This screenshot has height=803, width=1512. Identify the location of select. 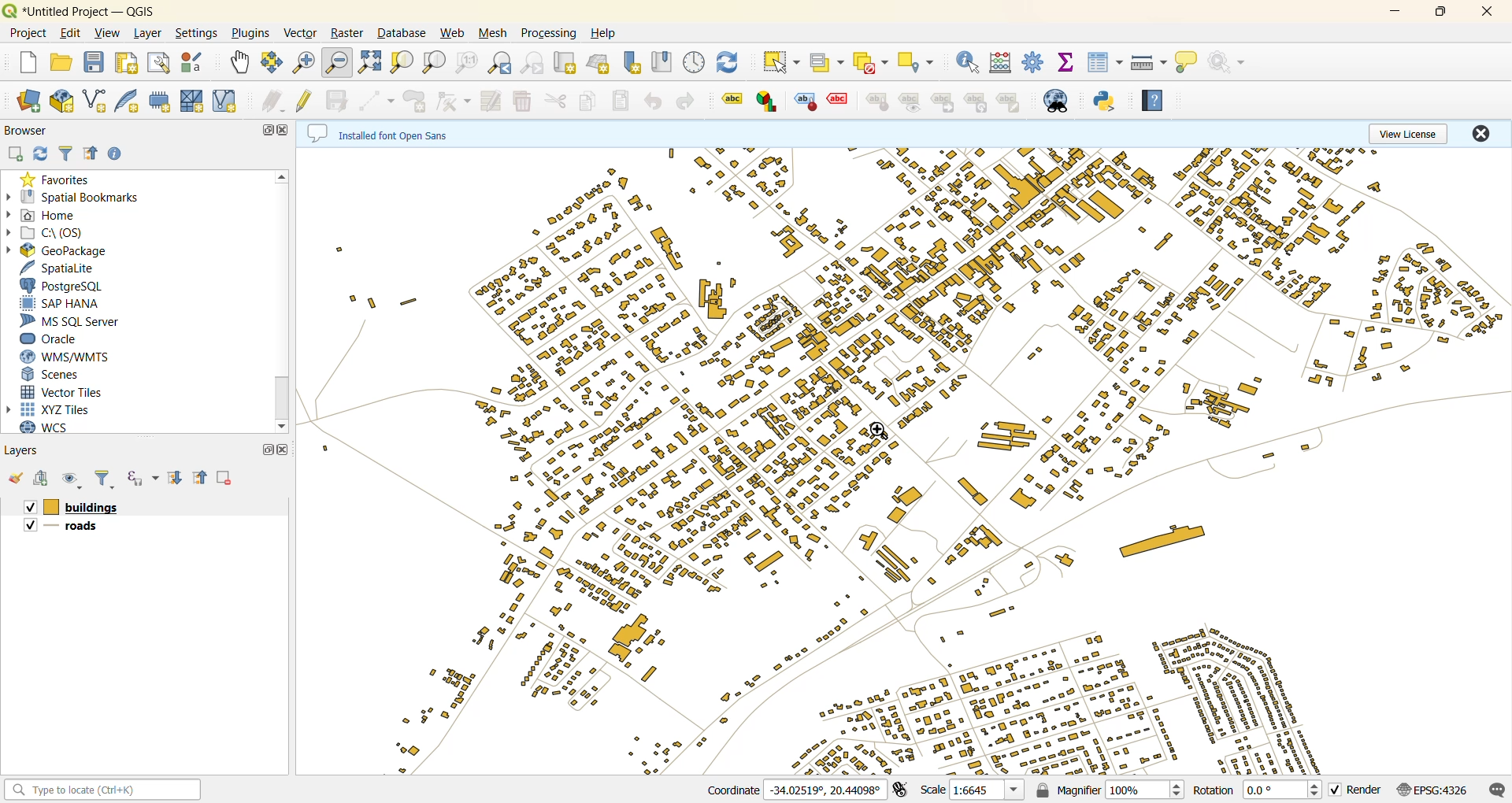
(780, 61).